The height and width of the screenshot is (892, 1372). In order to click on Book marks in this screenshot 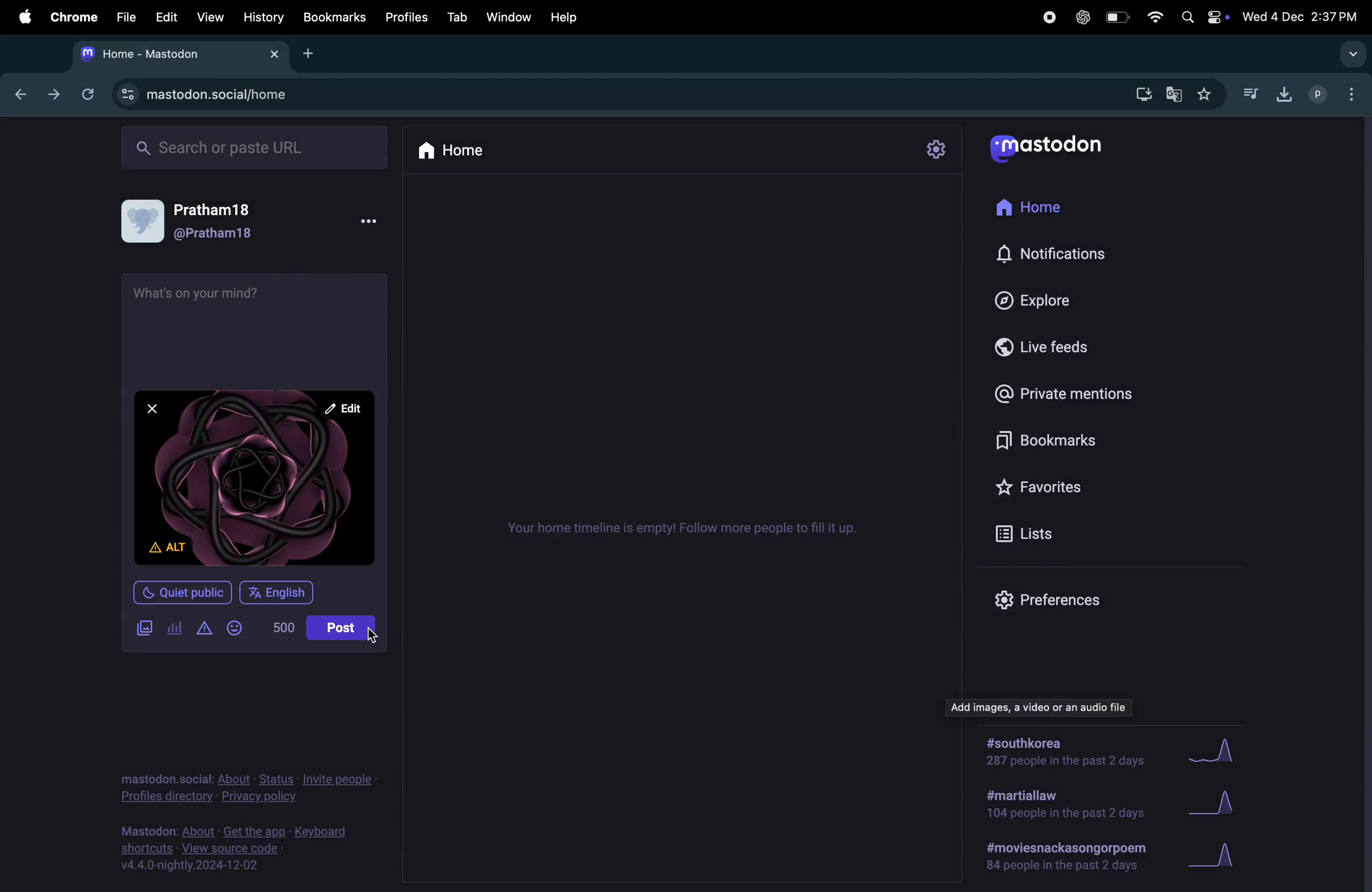, I will do `click(1039, 443)`.